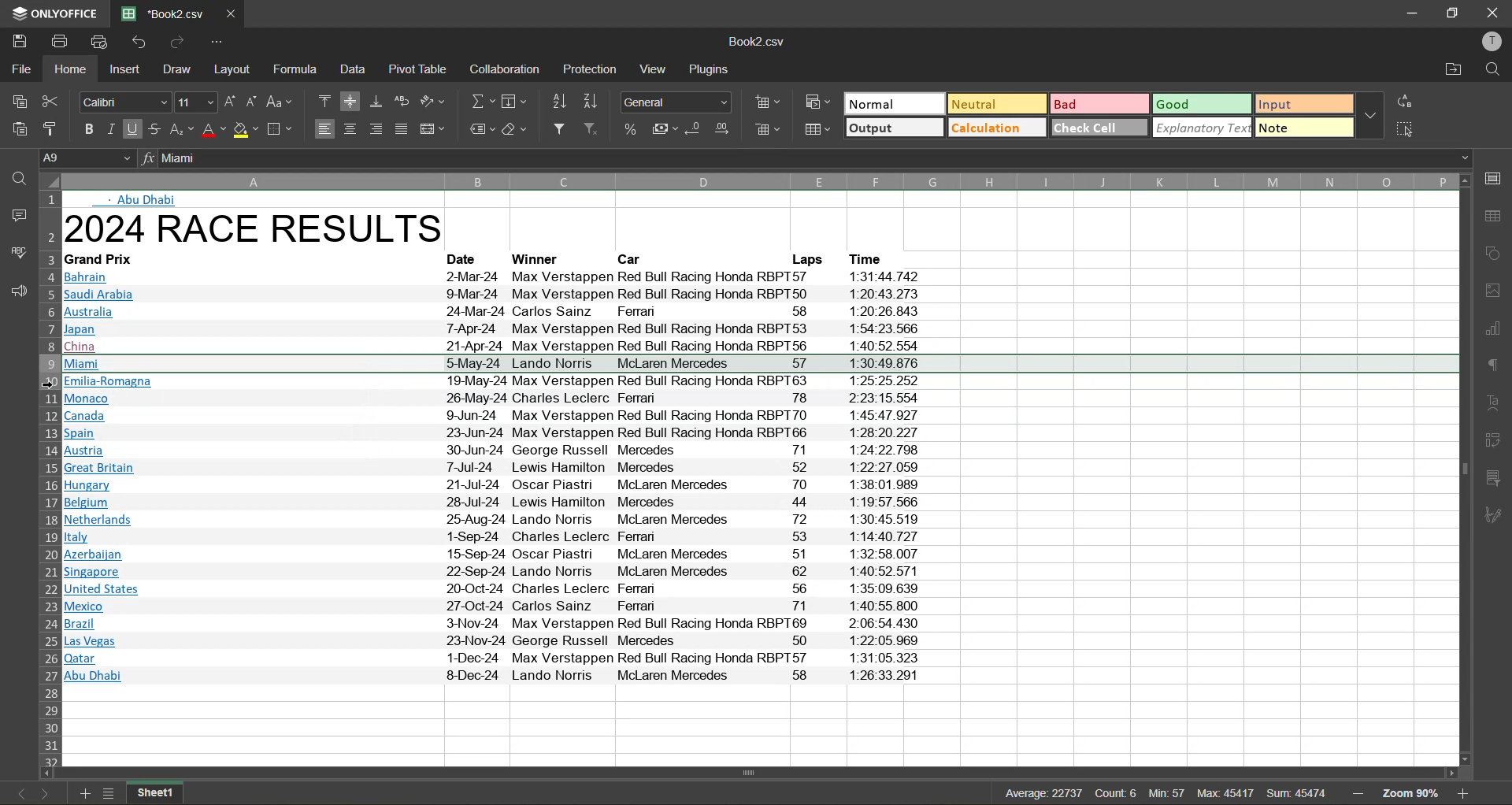 The image size is (1512, 805). I want to click on 2024 RACE RESULTS, so click(259, 231).